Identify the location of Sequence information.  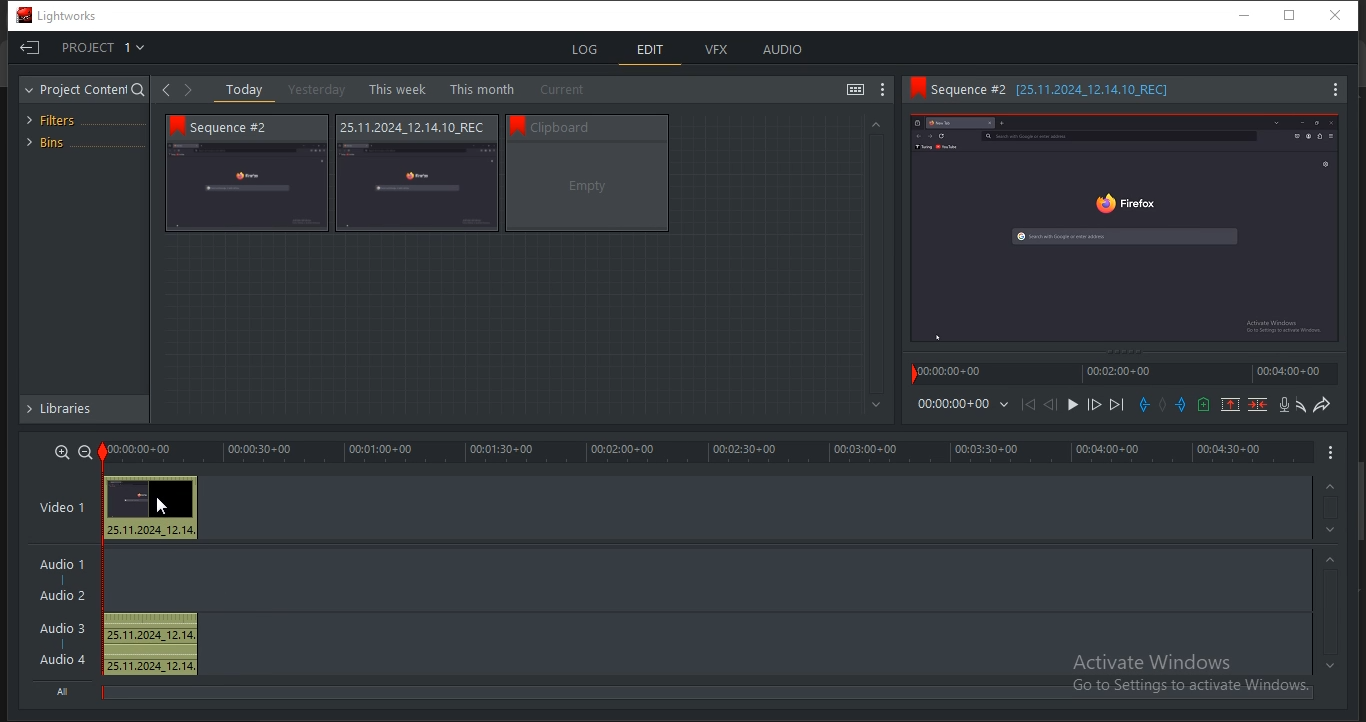
(411, 128).